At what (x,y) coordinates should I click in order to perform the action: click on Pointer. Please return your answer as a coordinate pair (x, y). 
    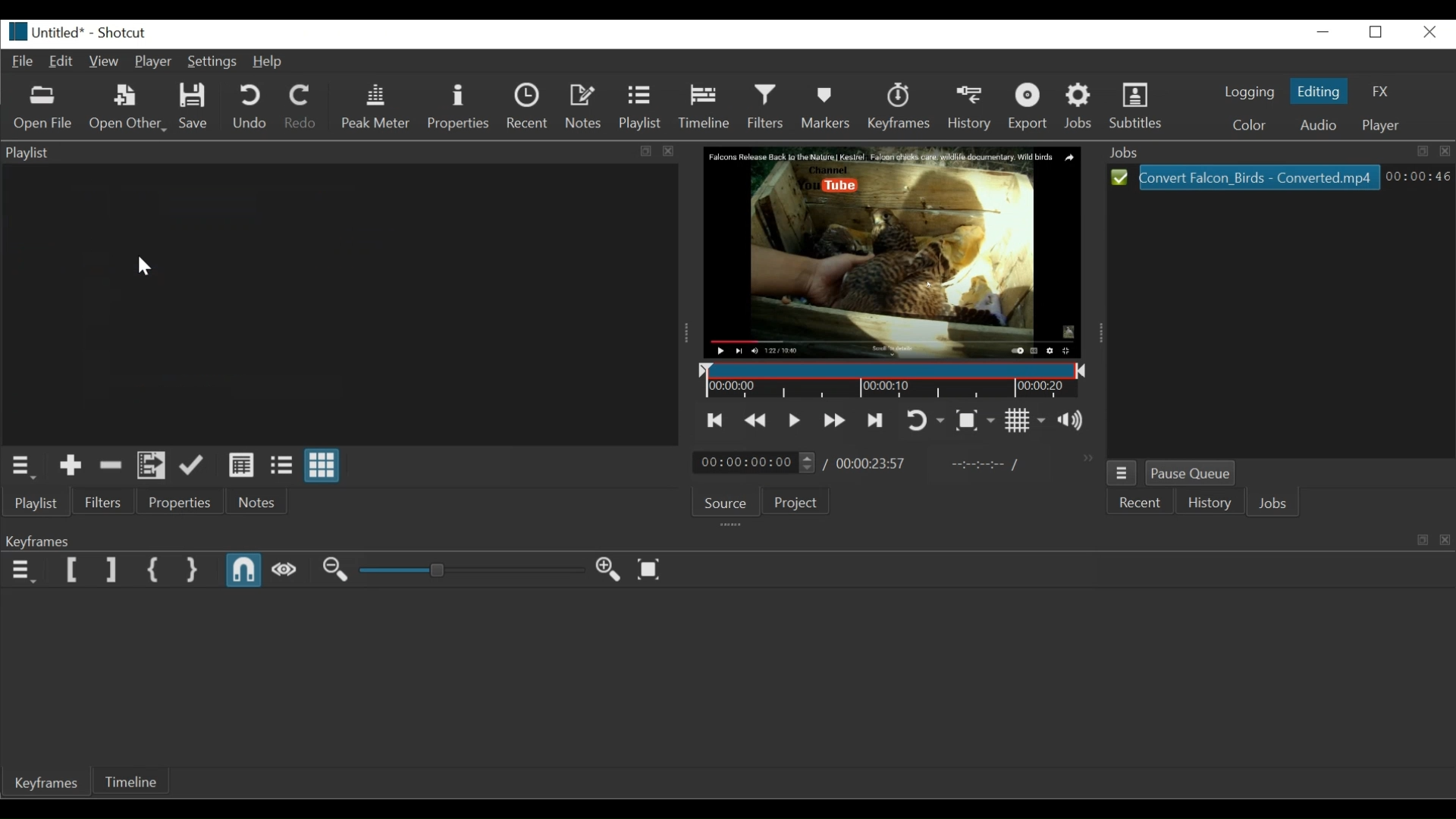
    Looking at the image, I should click on (147, 265).